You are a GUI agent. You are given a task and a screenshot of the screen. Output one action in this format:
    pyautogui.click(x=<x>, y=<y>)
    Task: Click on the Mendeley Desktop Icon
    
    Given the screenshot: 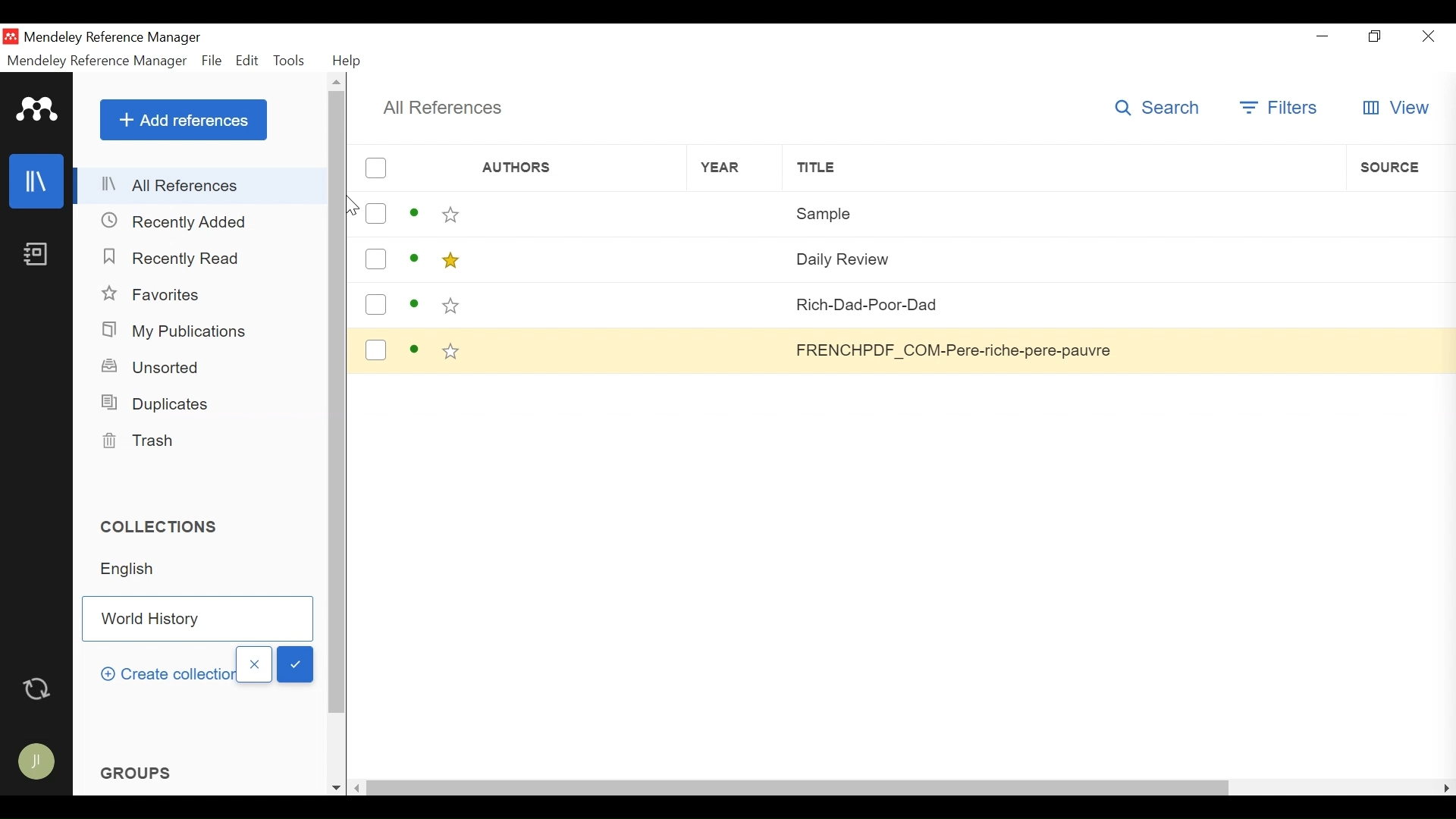 What is the action you would take?
    pyautogui.click(x=12, y=36)
    